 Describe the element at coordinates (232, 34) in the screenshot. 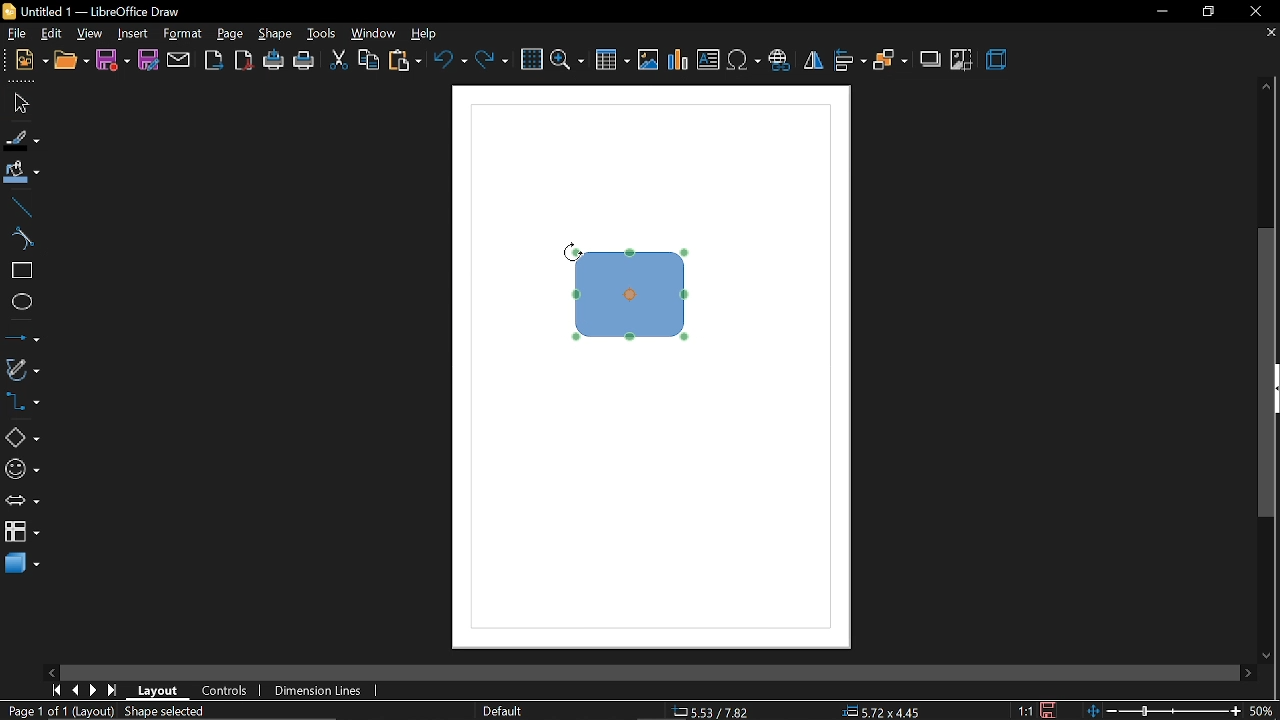

I see `page` at that location.